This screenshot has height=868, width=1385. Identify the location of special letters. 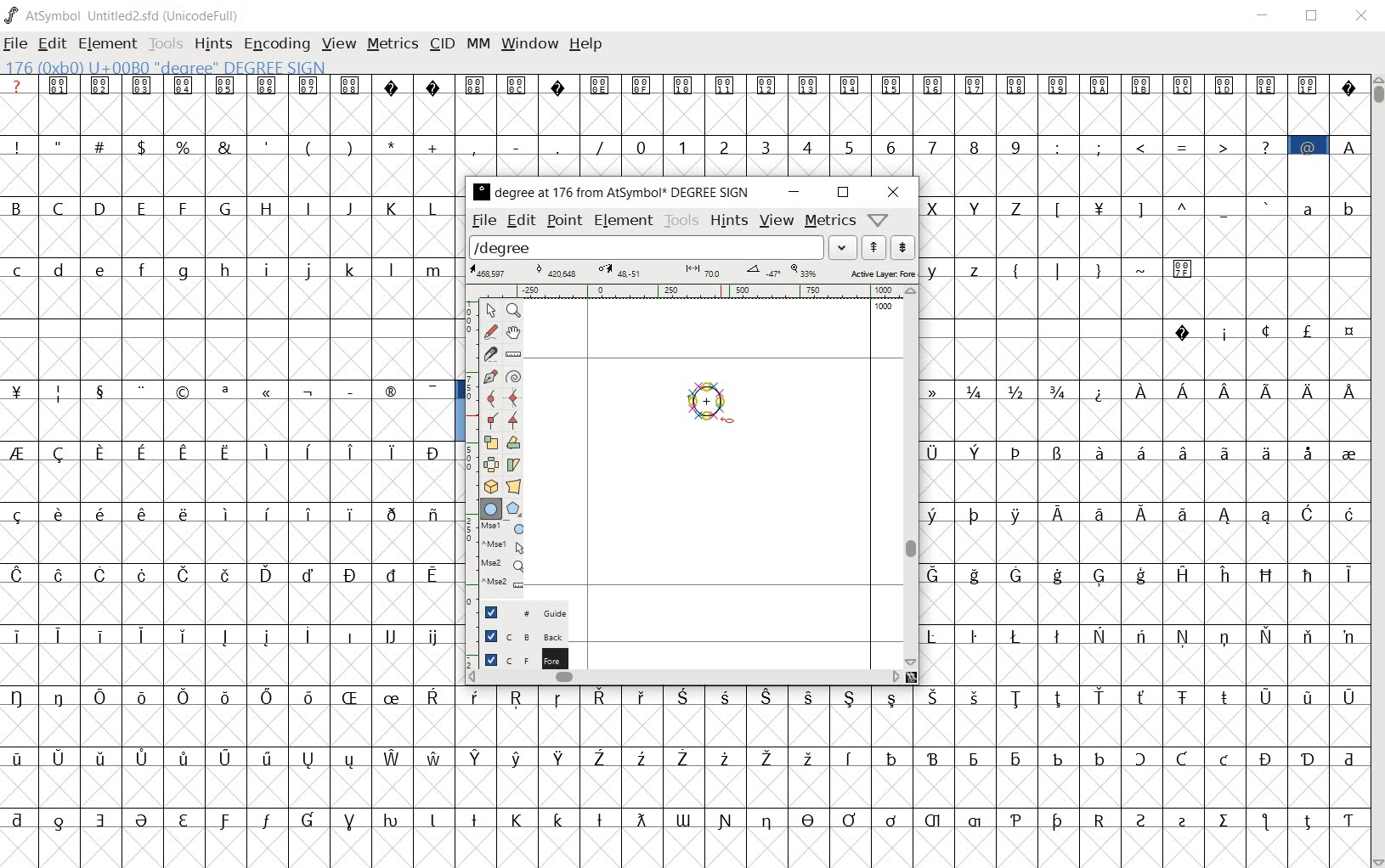
(229, 757).